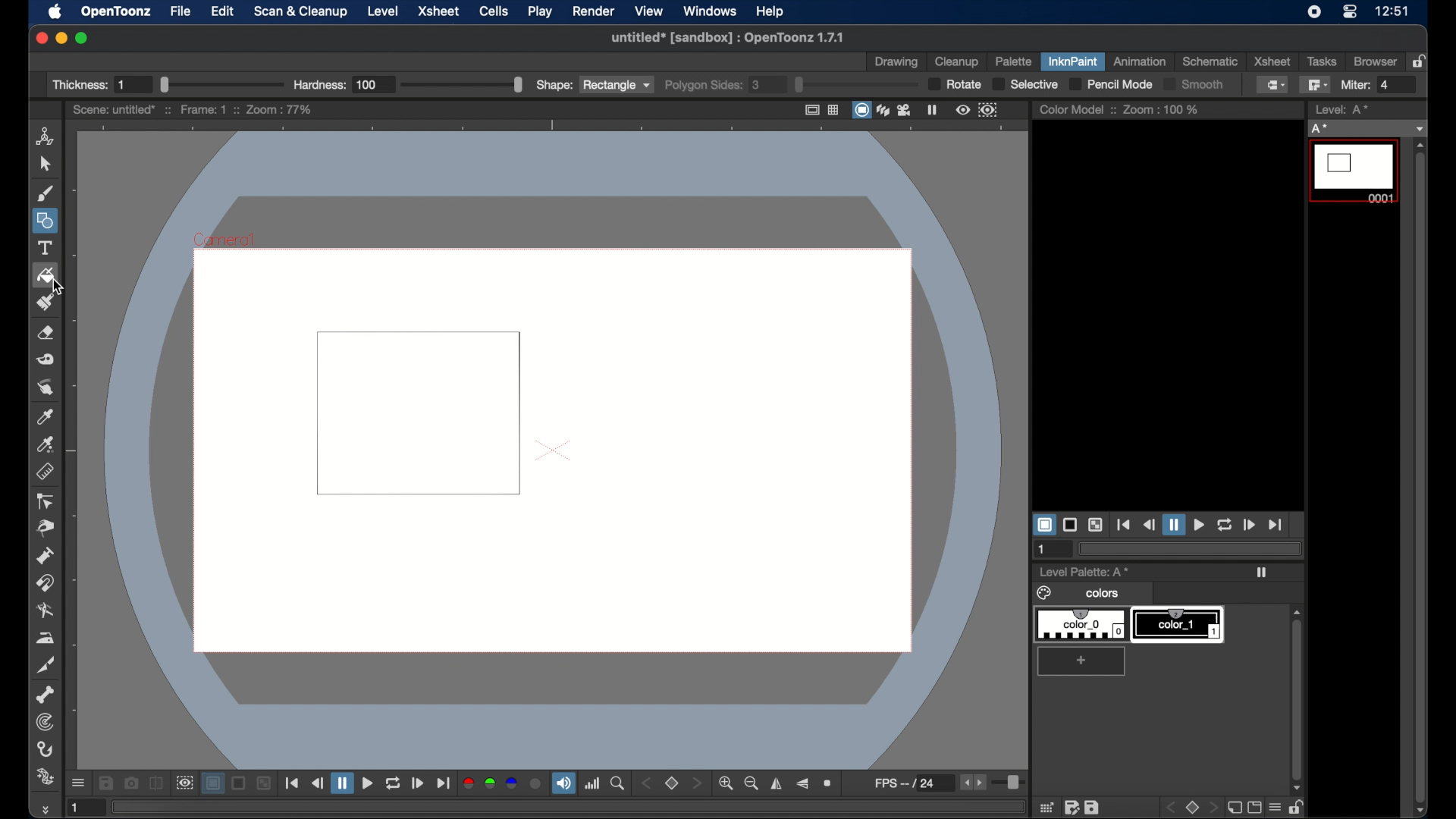 The height and width of the screenshot is (819, 1456). I want to click on blender tool, so click(45, 612).